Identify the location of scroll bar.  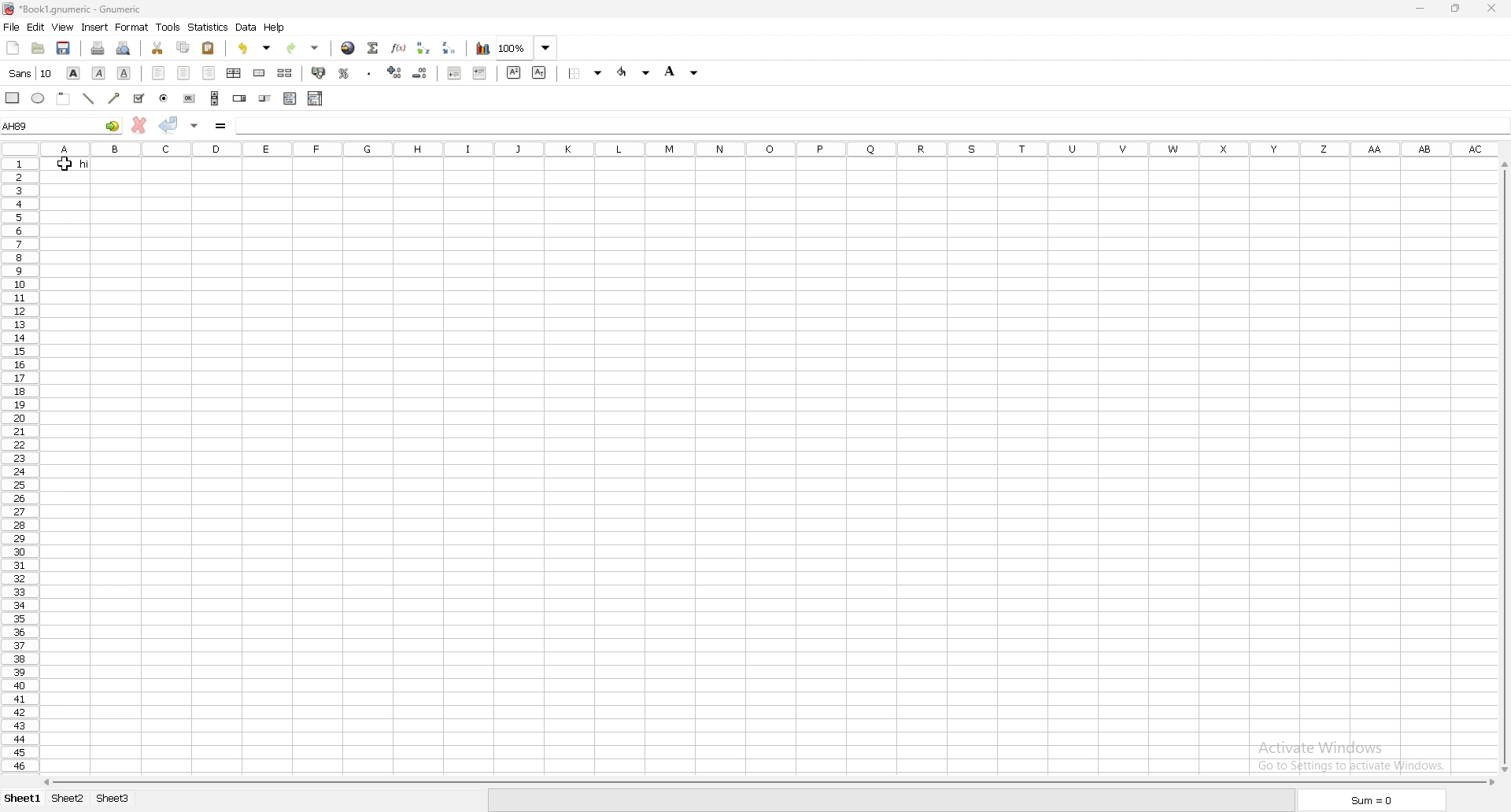
(216, 98).